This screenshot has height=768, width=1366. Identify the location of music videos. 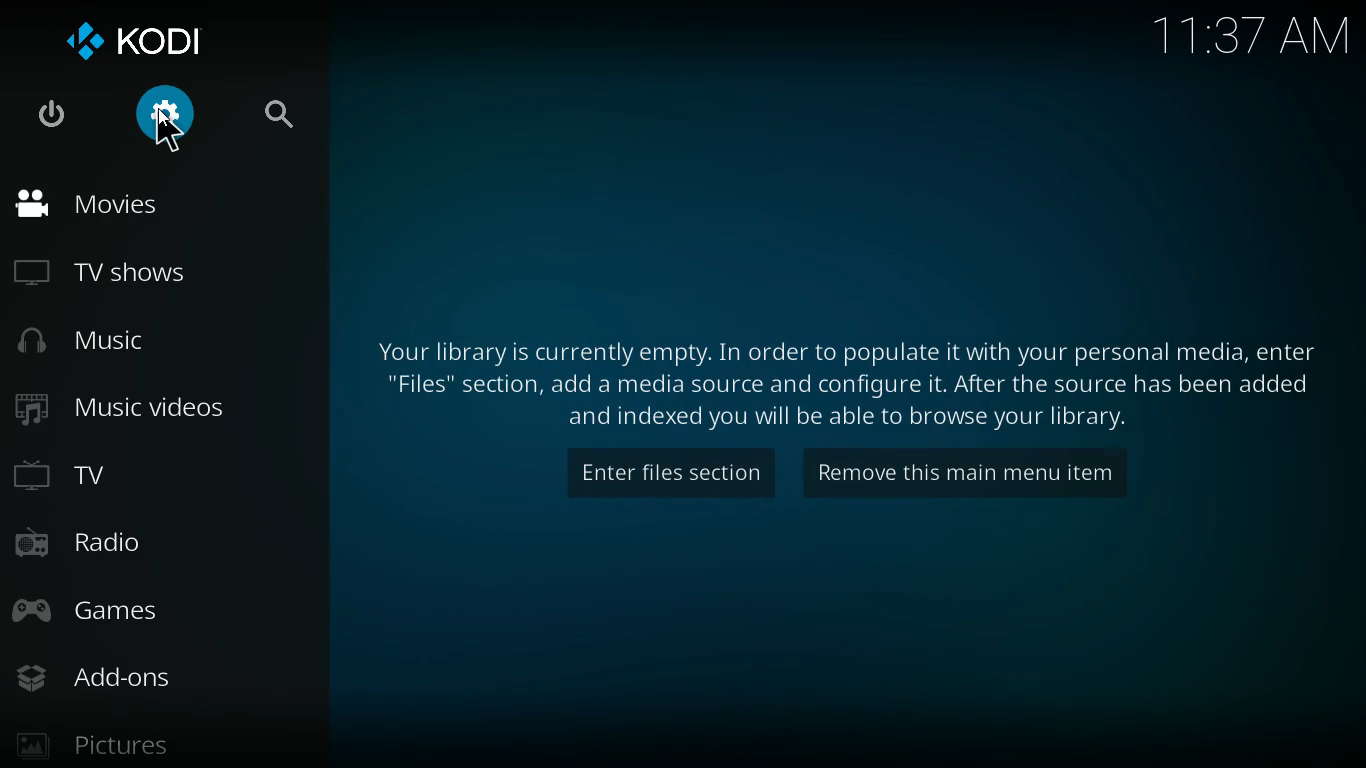
(143, 411).